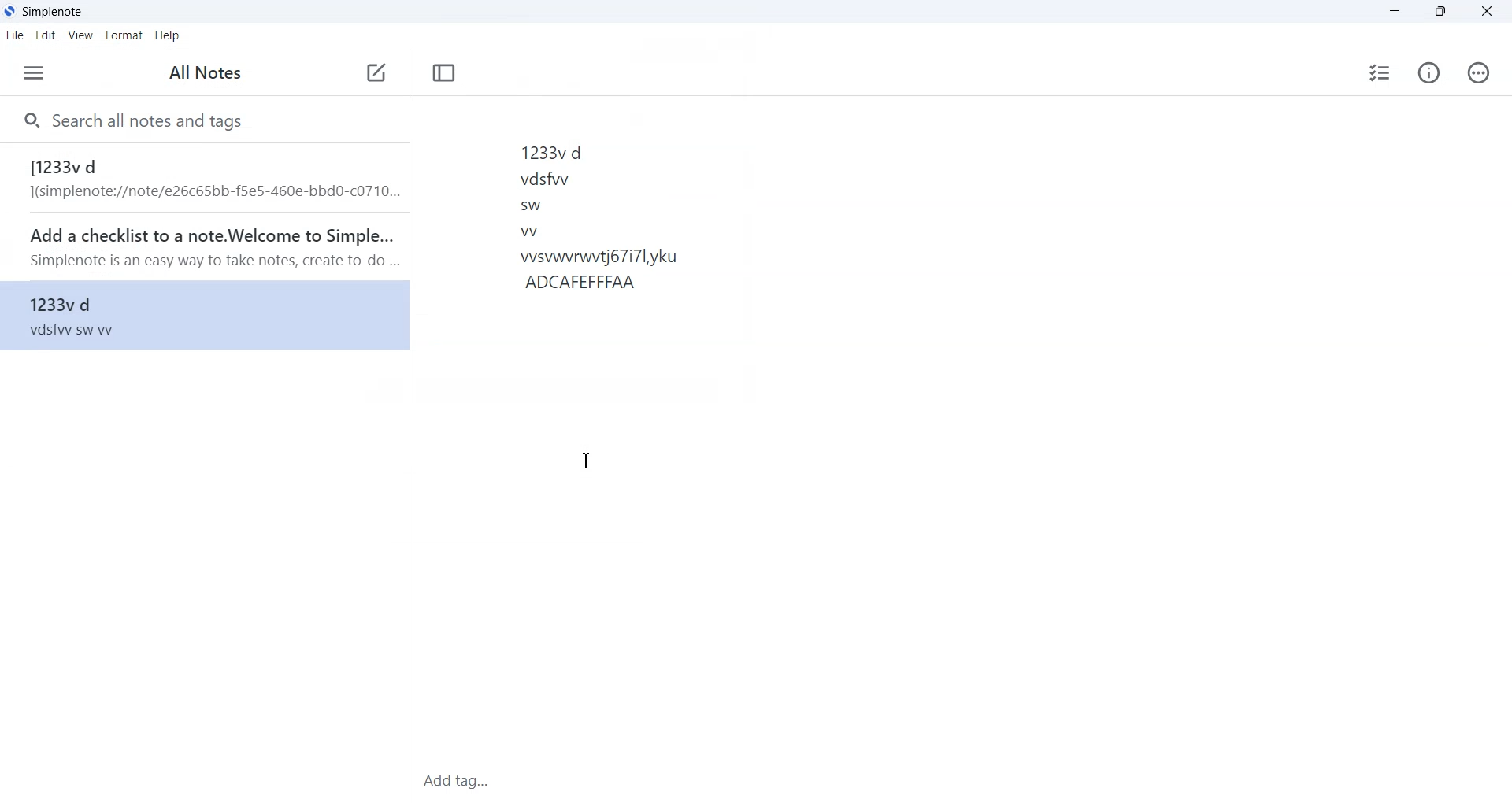 The width and height of the screenshot is (1512, 803). What do you see at coordinates (1439, 12) in the screenshot?
I see `Maximize` at bounding box center [1439, 12].